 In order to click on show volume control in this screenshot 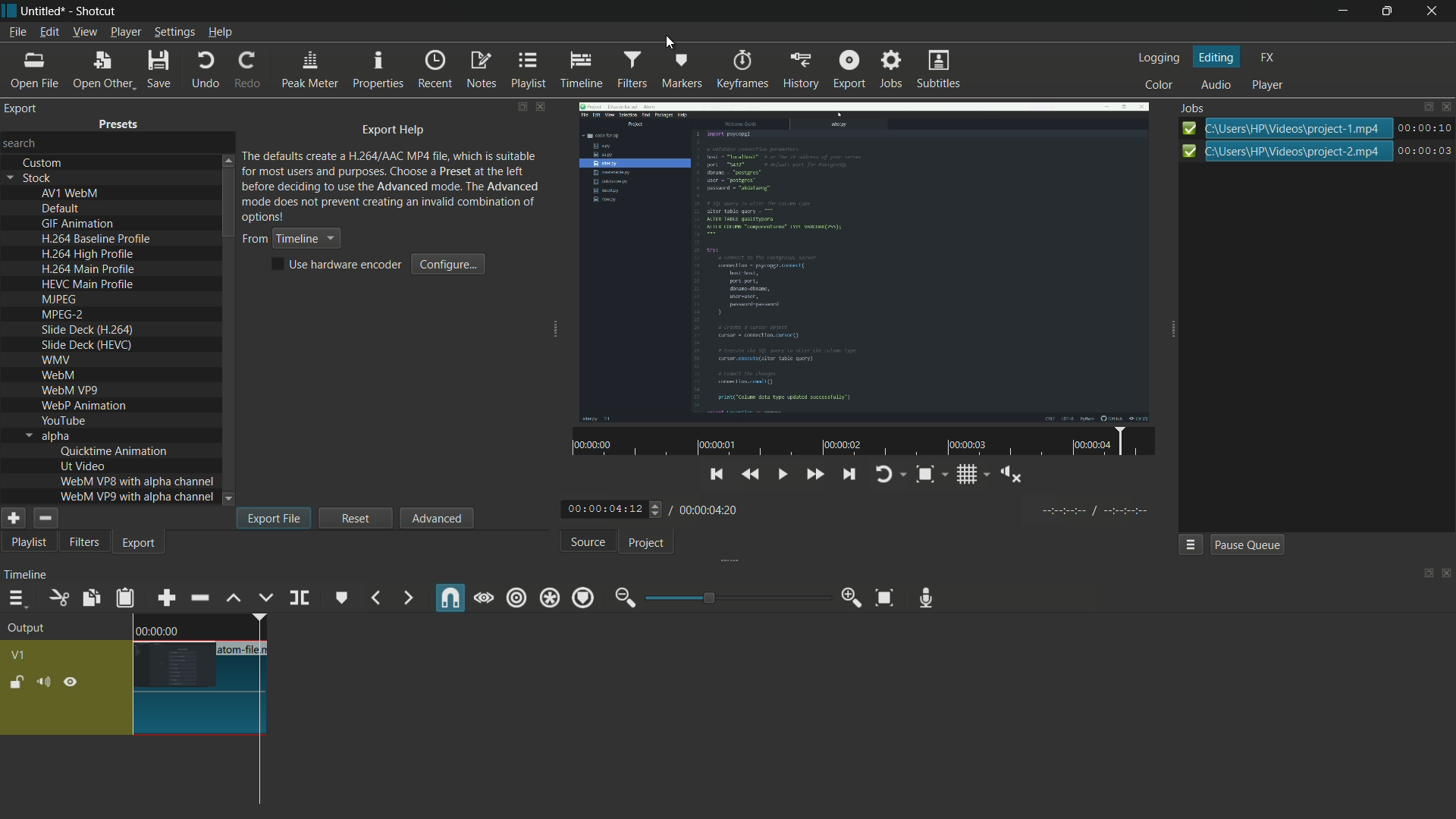, I will do `click(1175, 511)`.